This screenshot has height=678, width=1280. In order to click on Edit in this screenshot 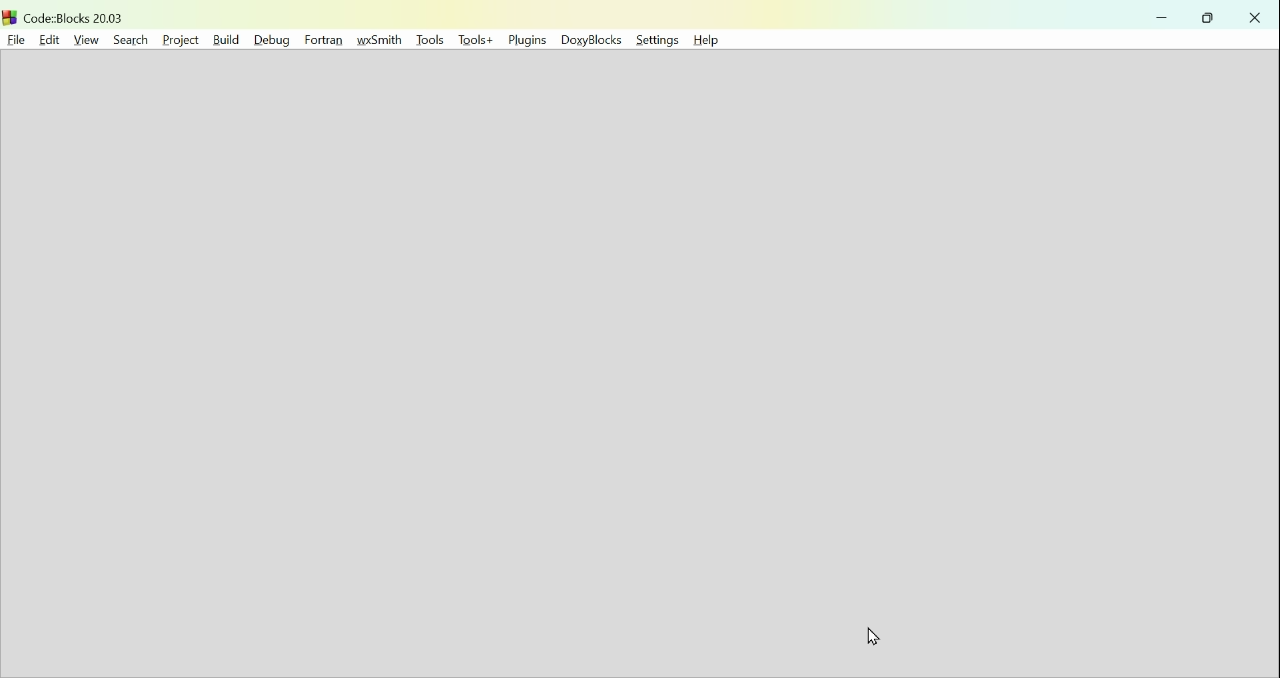, I will do `click(46, 38)`.